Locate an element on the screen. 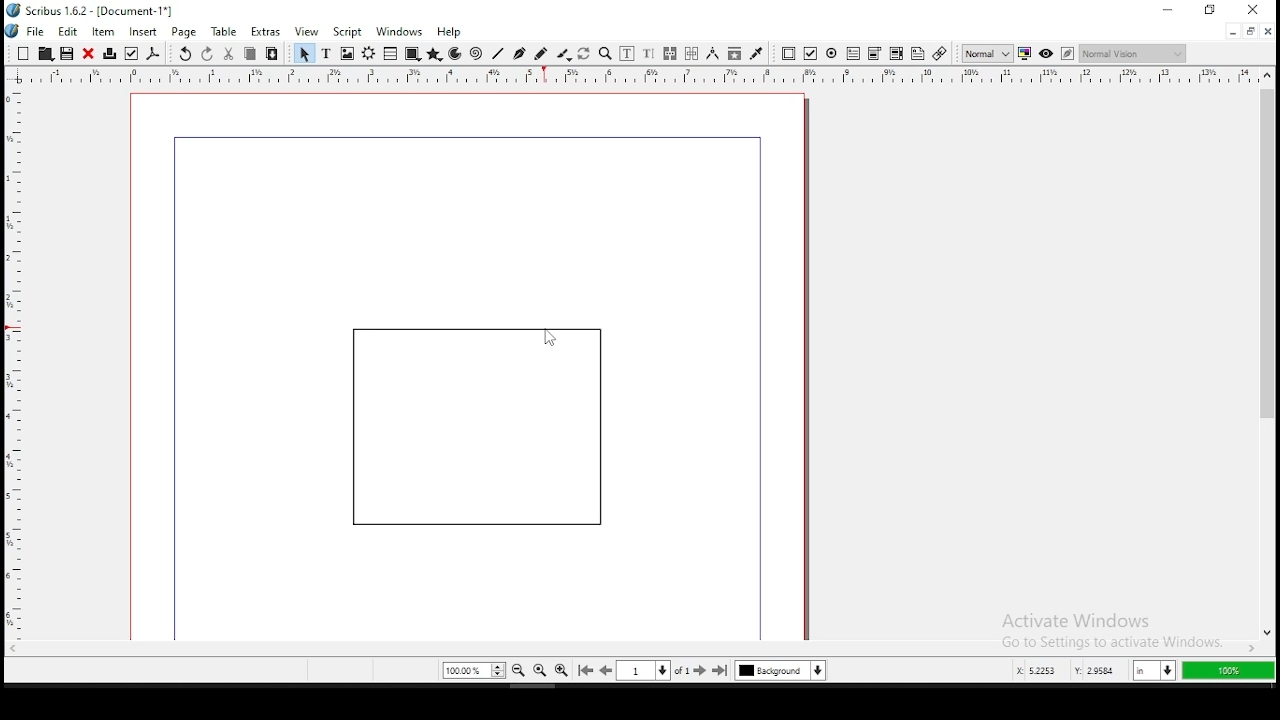  redo is located at coordinates (207, 54).